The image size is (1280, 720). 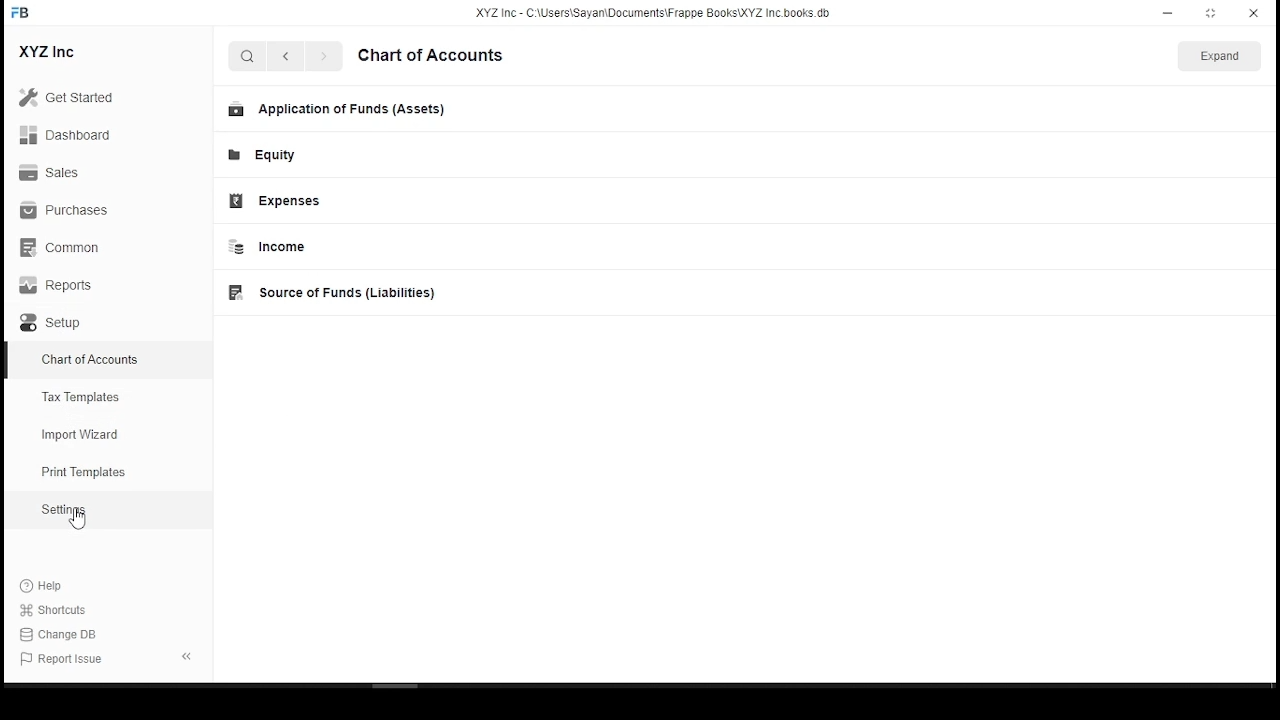 What do you see at coordinates (62, 660) in the screenshot?
I see `Report Issue` at bounding box center [62, 660].